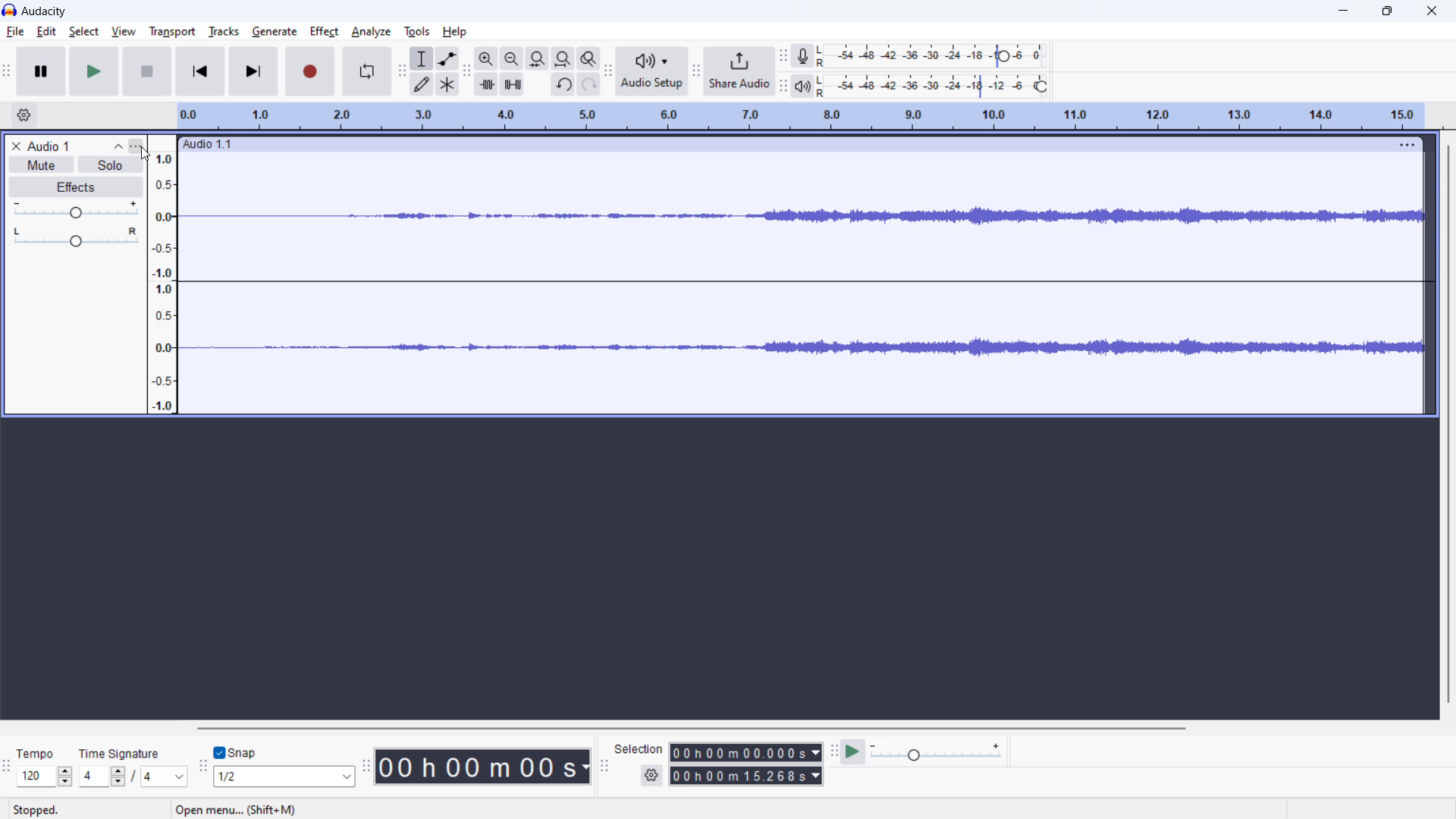 The image size is (1456, 819). What do you see at coordinates (1390, 10) in the screenshot?
I see `maximize` at bounding box center [1390, 10].